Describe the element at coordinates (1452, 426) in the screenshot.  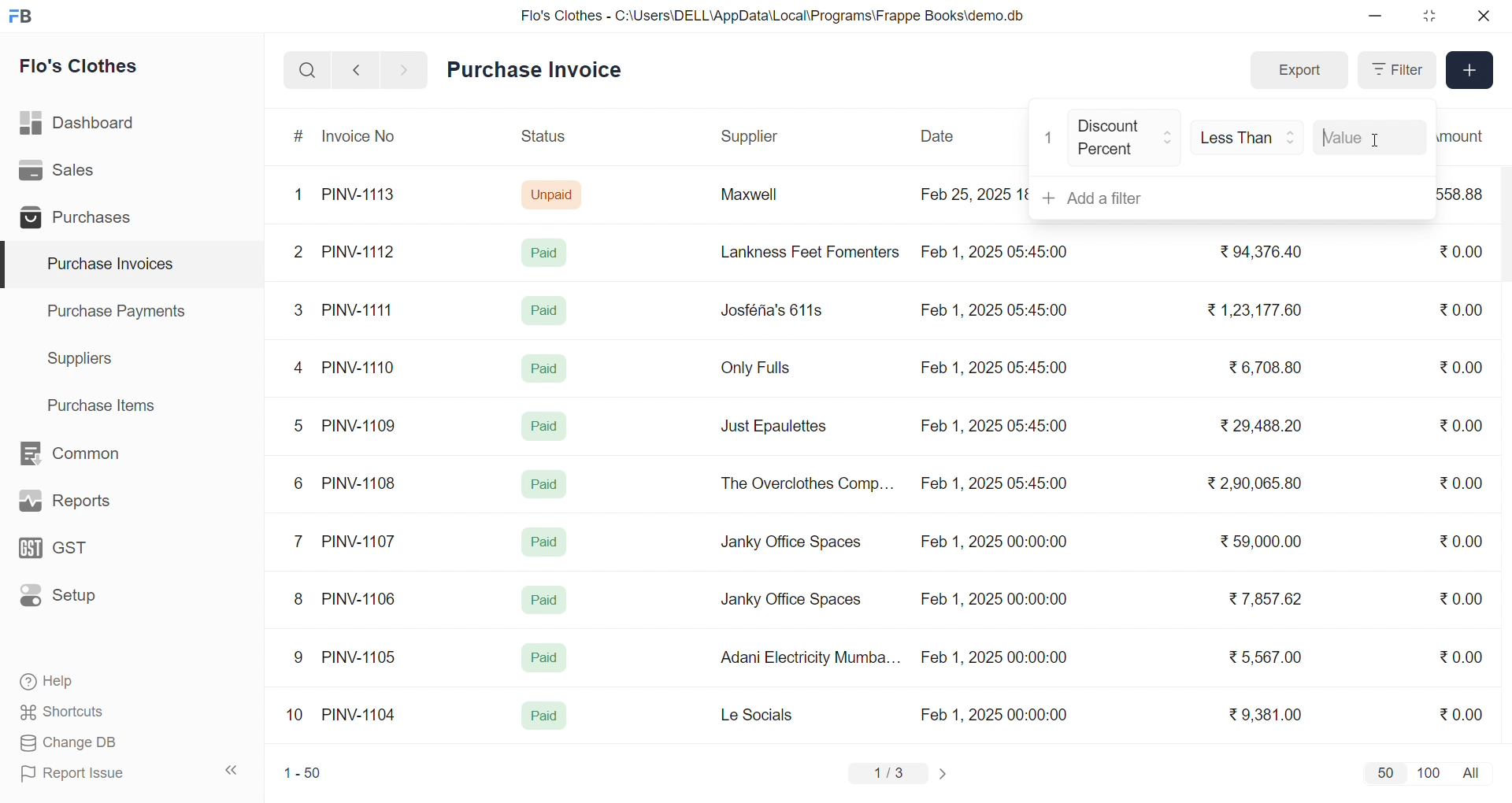
I see `₹0.00` at that location.